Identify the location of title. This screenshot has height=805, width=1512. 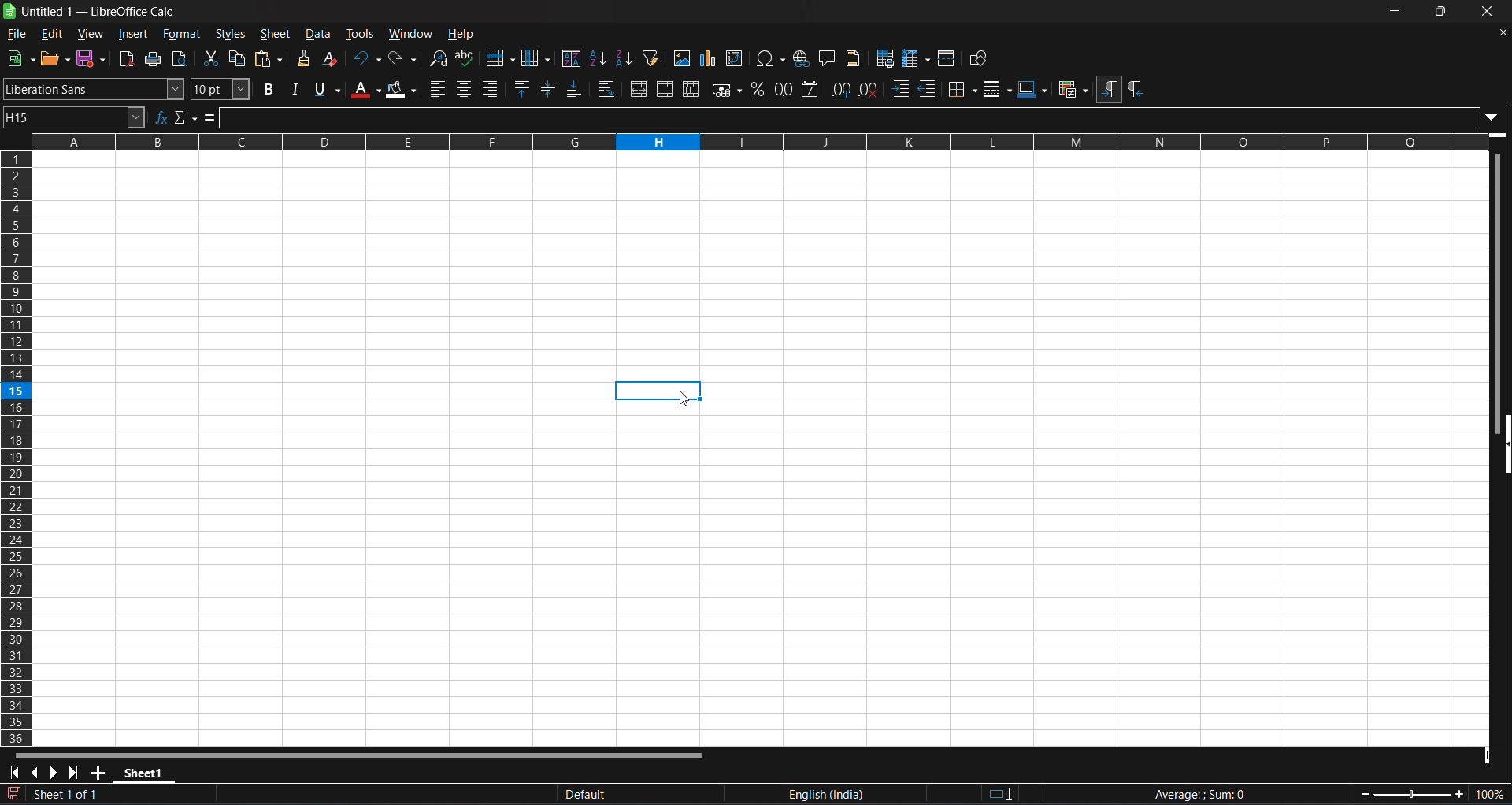
(98, 12).